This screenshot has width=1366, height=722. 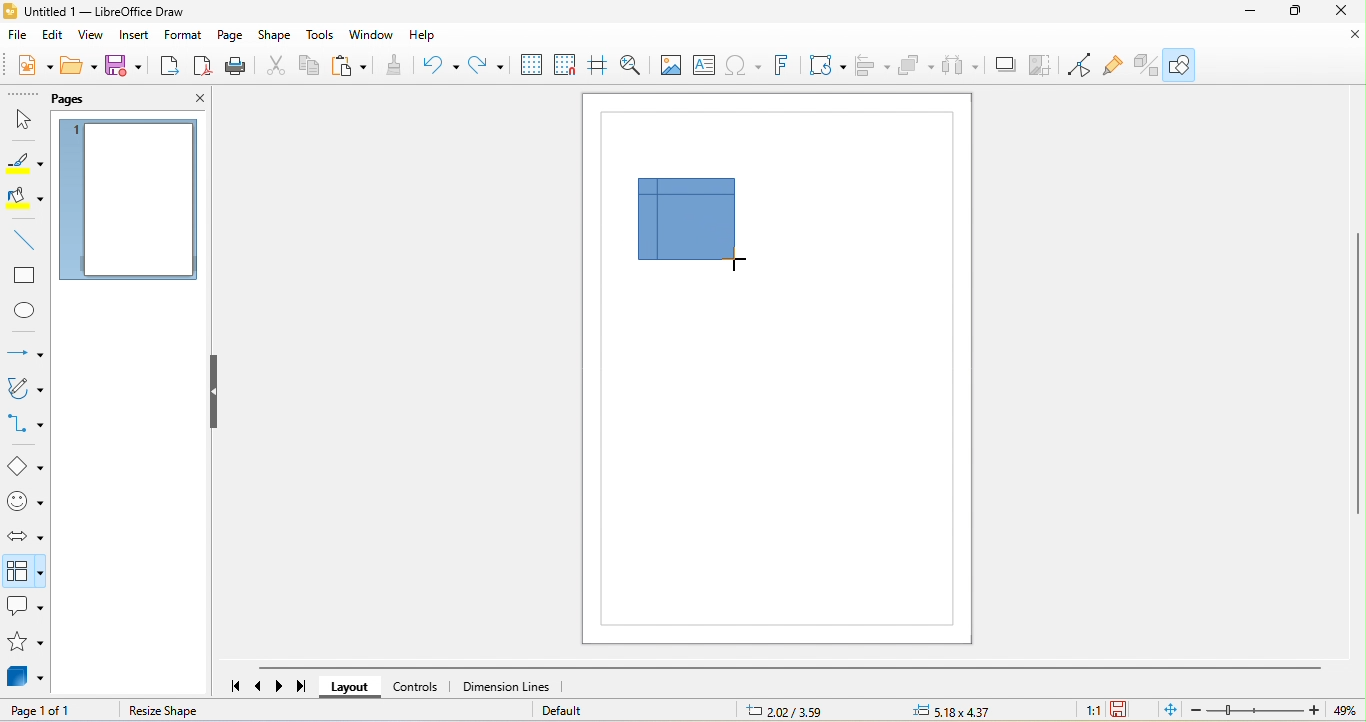 What do you see at coordinates (789, 667) in the screenshot?
I see `horizontal scroll bar` at bounding box center [789, 667].